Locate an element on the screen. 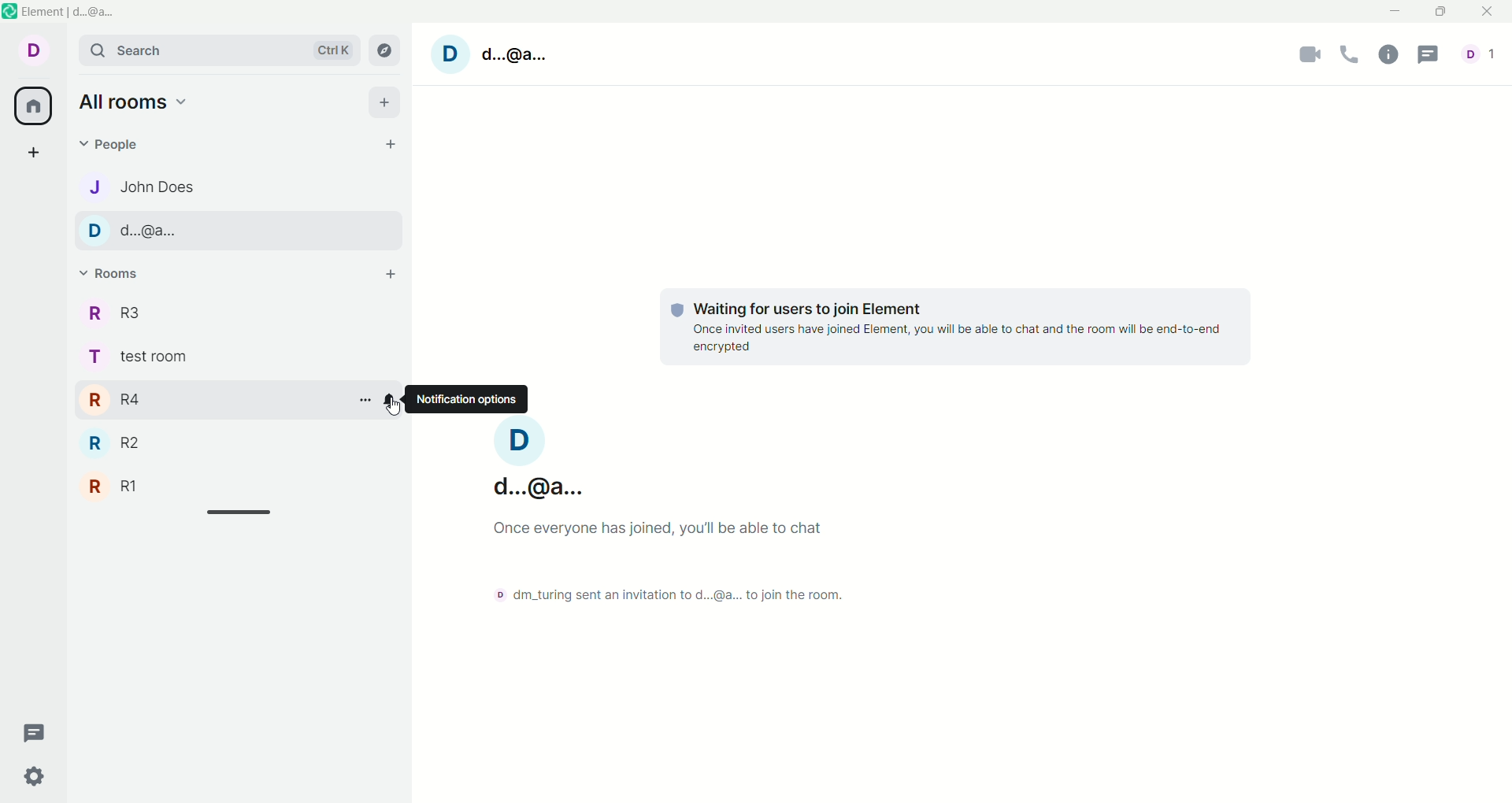 The image size is (1512, 803). Current account image is located at coordinates (519, 441).